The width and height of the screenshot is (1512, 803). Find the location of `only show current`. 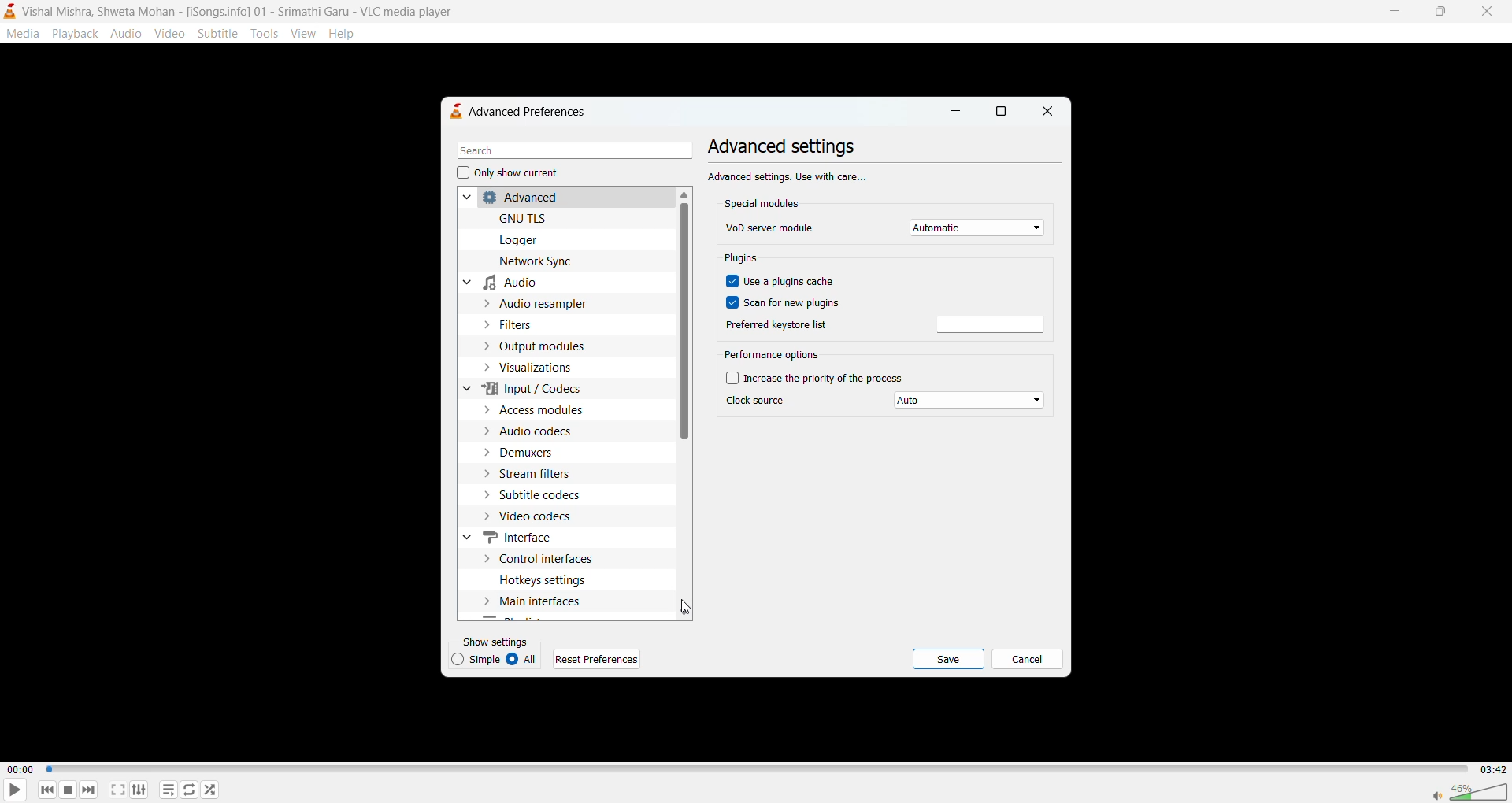

only show current is located at coordinates (508, 174).